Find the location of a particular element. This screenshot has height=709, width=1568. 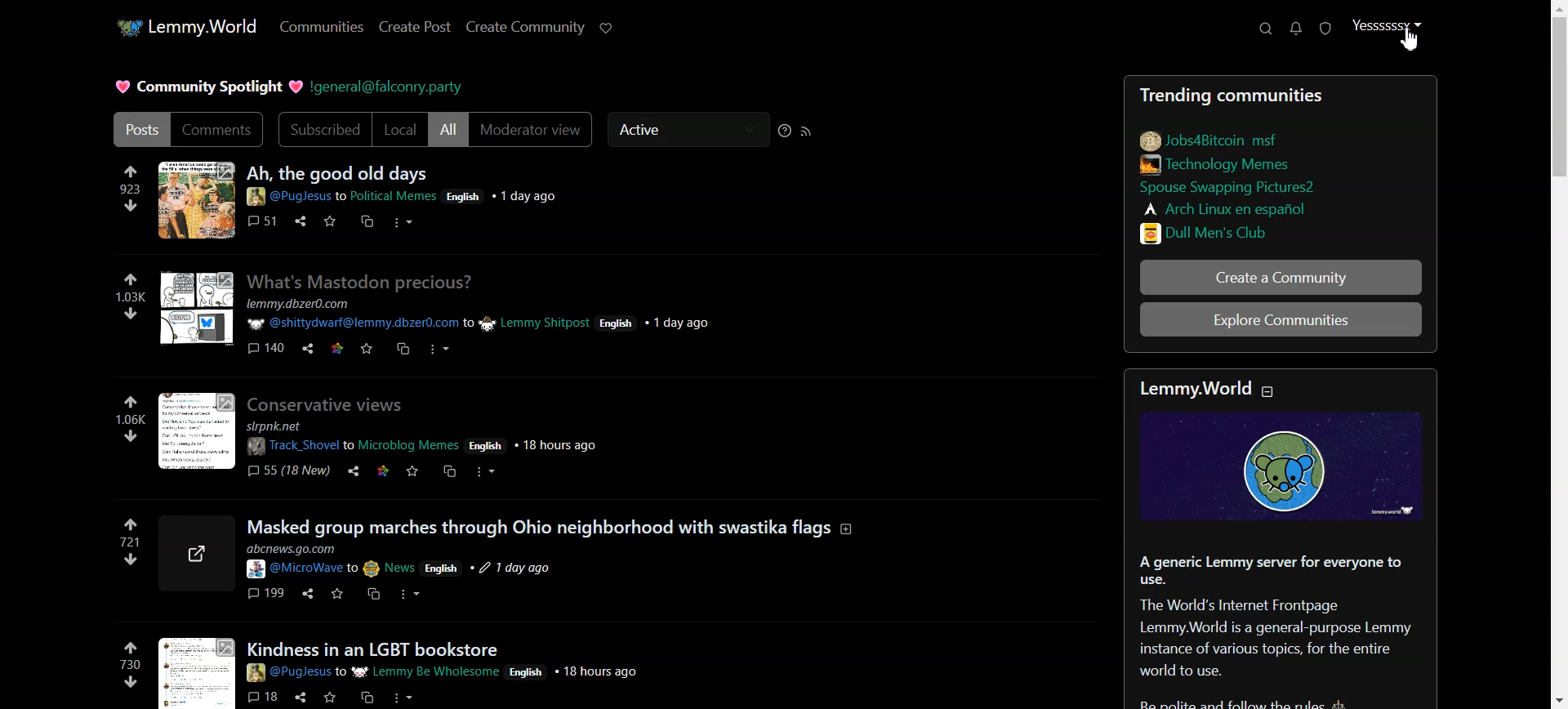

save is located at coordinates (330, 697).